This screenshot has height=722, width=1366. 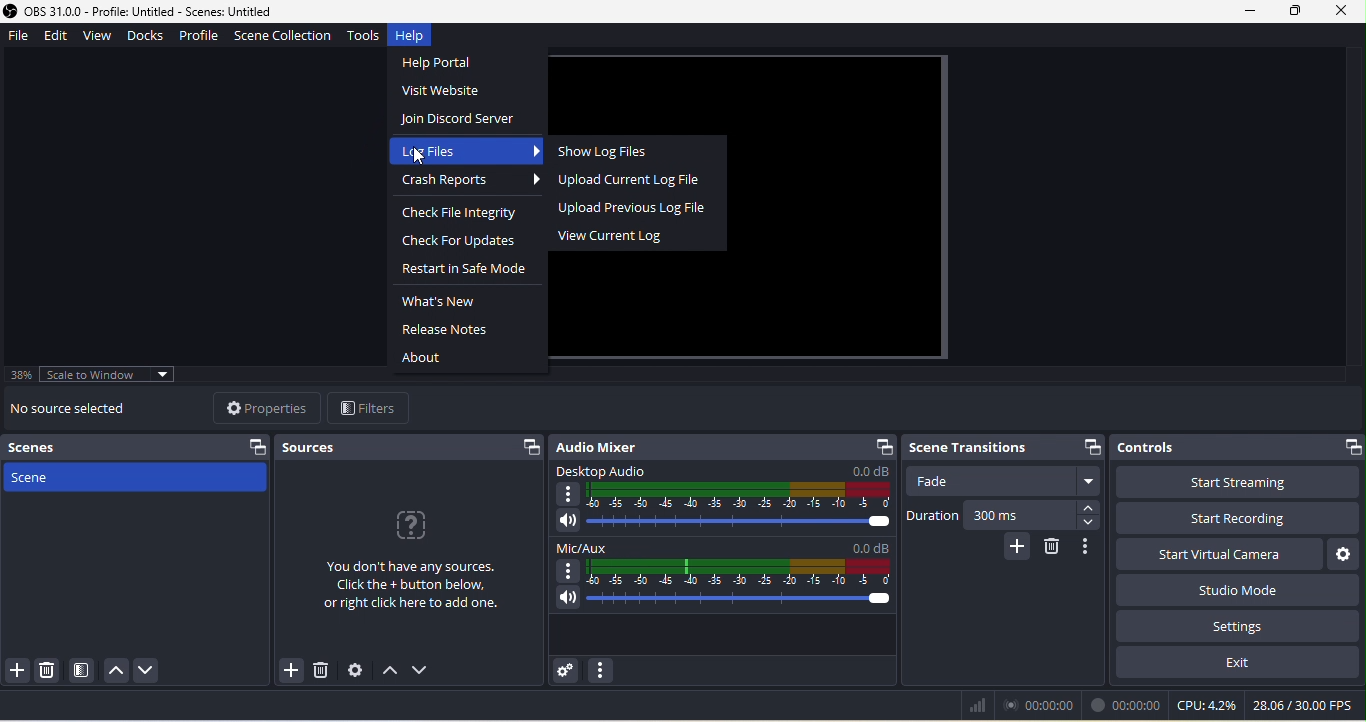 I want to click on  you don't have any sources click the+ button below , so click(x=409, y=570).